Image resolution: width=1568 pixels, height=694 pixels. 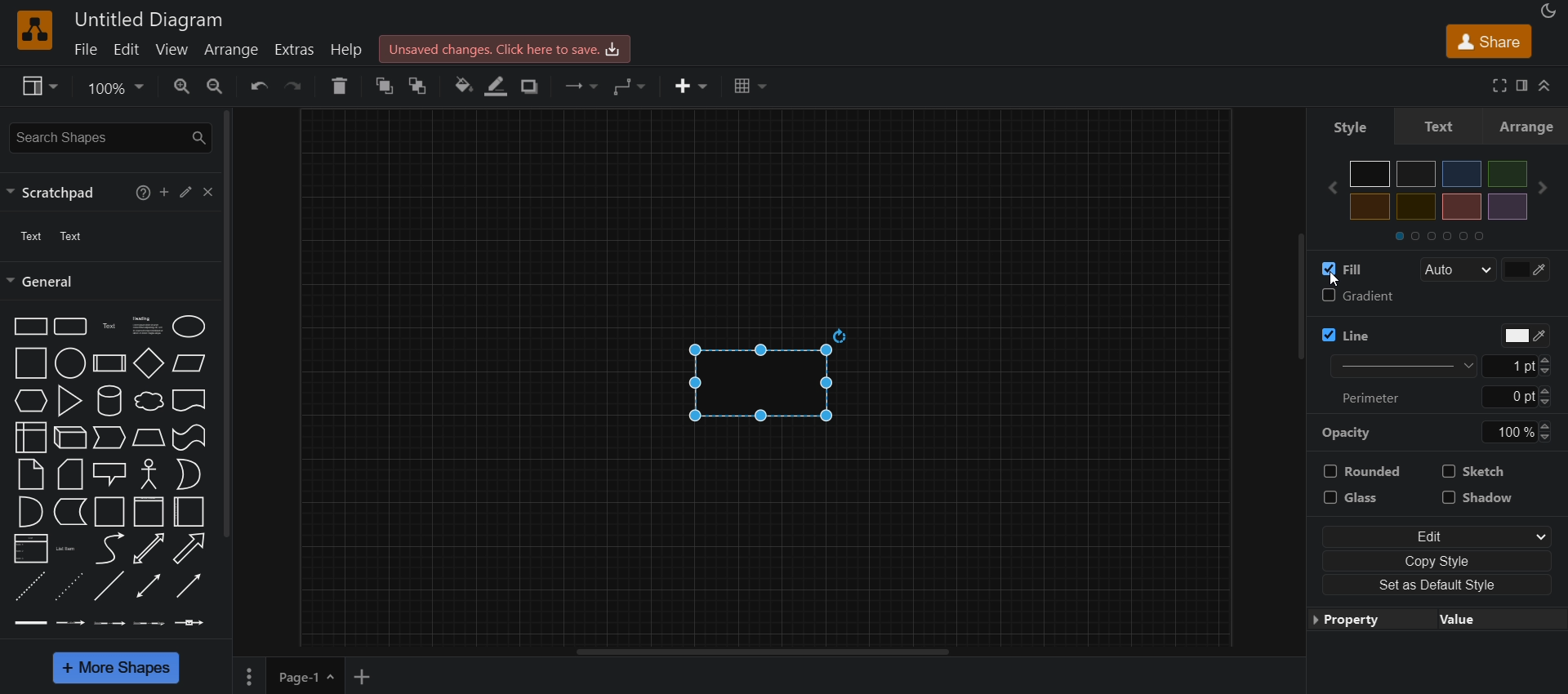 I want to click on shadow, so click(x=1480, y=497).